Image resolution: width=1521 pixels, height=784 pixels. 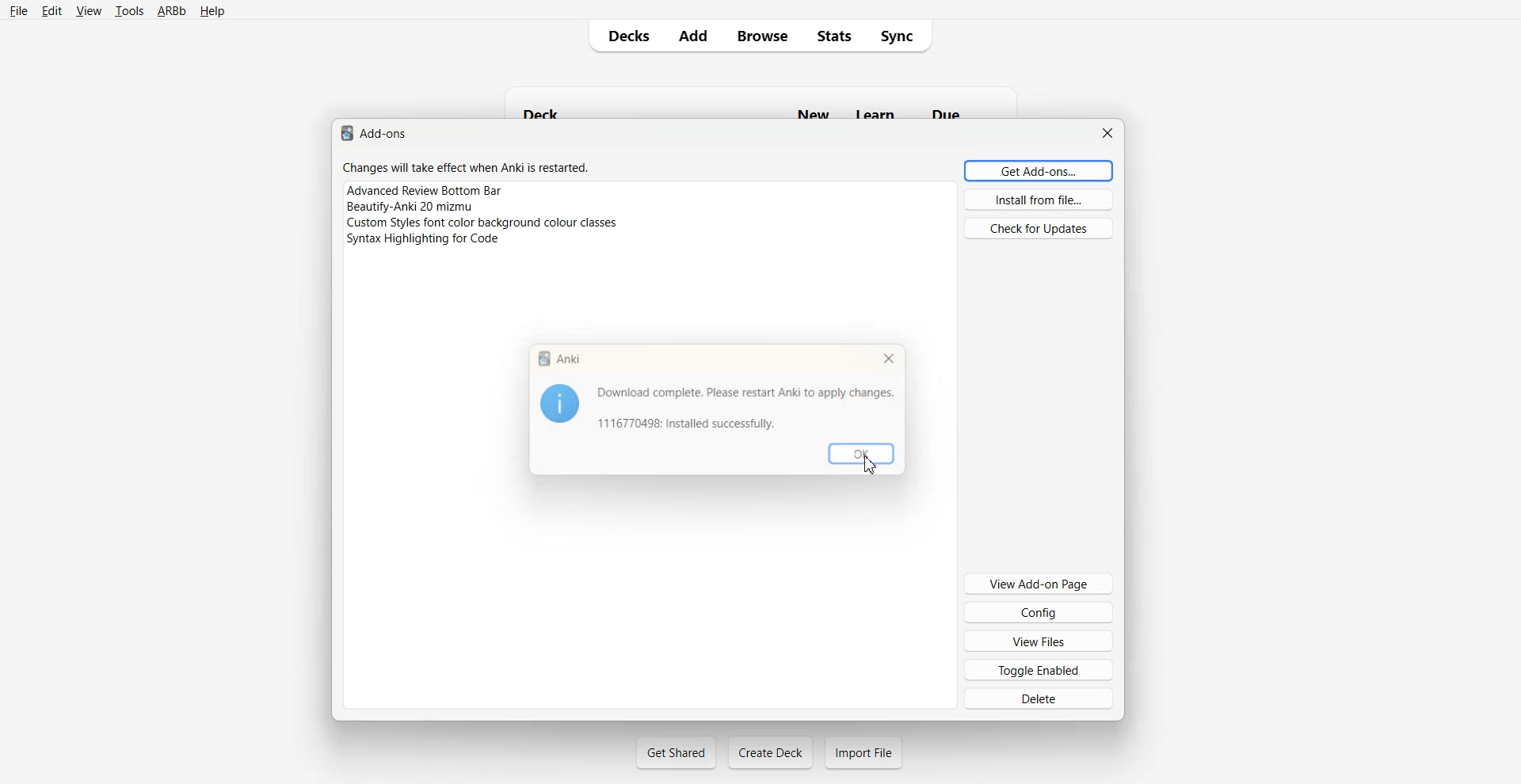 I want to click on Edit, so click(x=52, y=10).